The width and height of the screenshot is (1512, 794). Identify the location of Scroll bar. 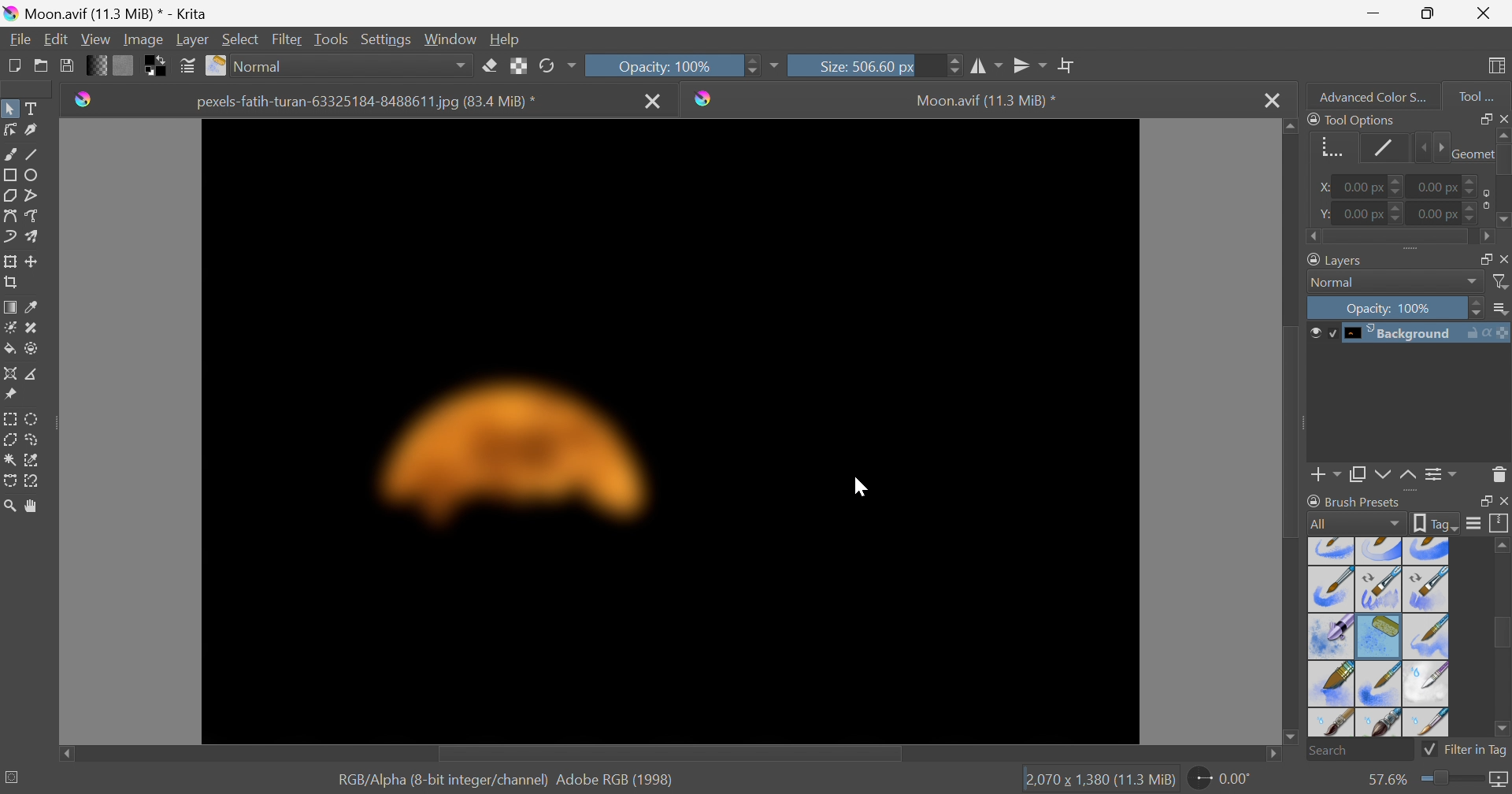
(1503, 633).